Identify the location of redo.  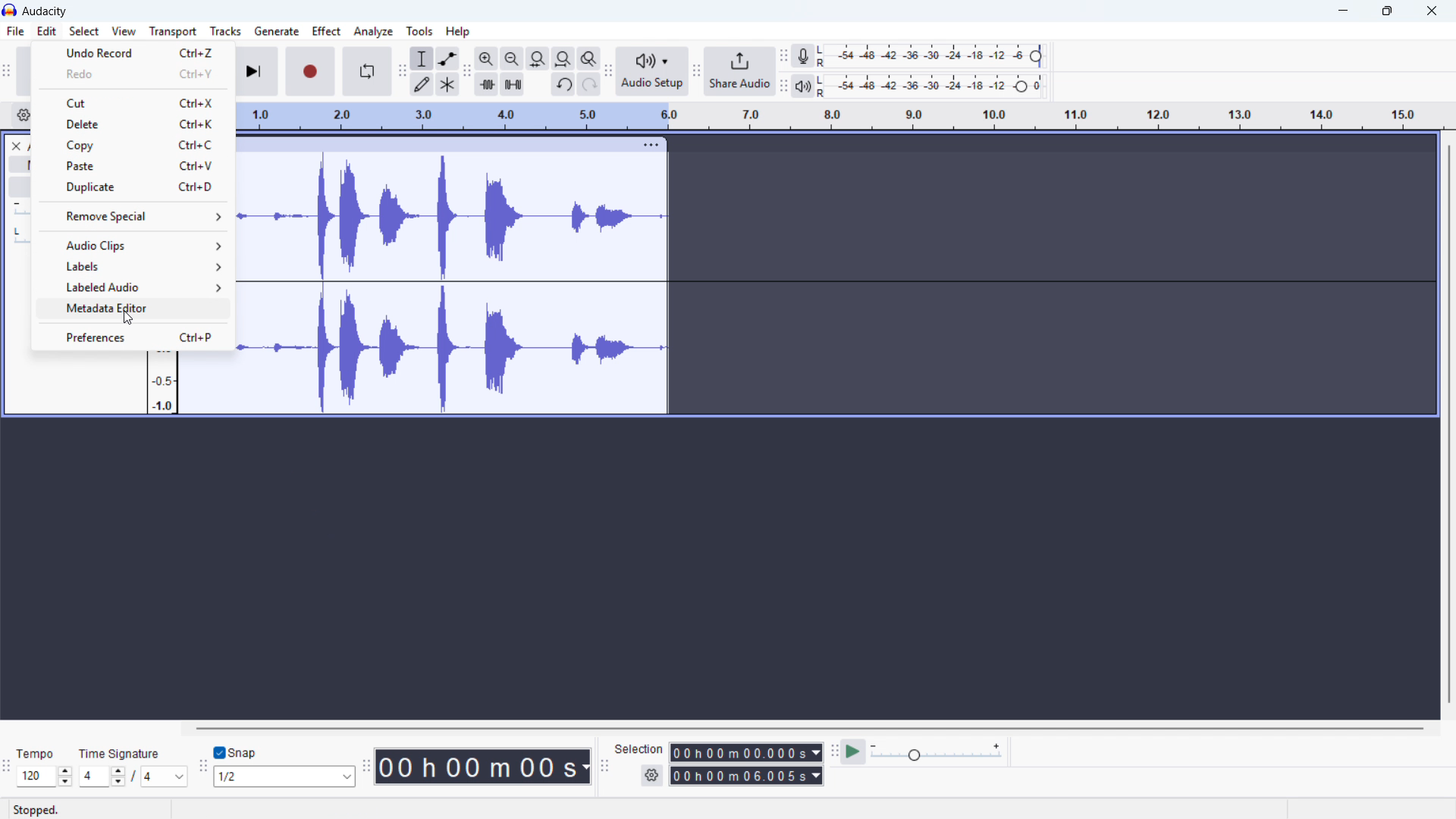
(132, 74).